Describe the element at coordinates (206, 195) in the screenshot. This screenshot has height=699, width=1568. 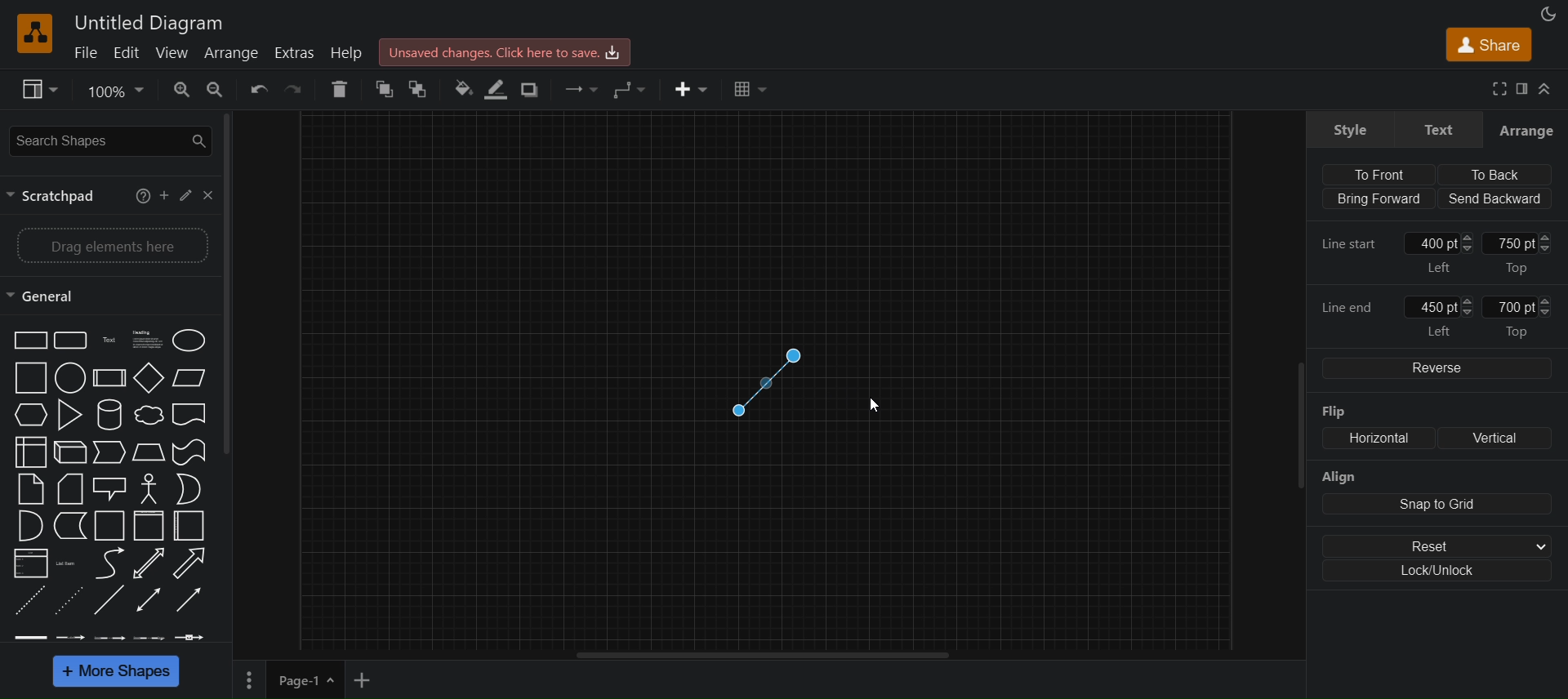
I see `close` at that location.